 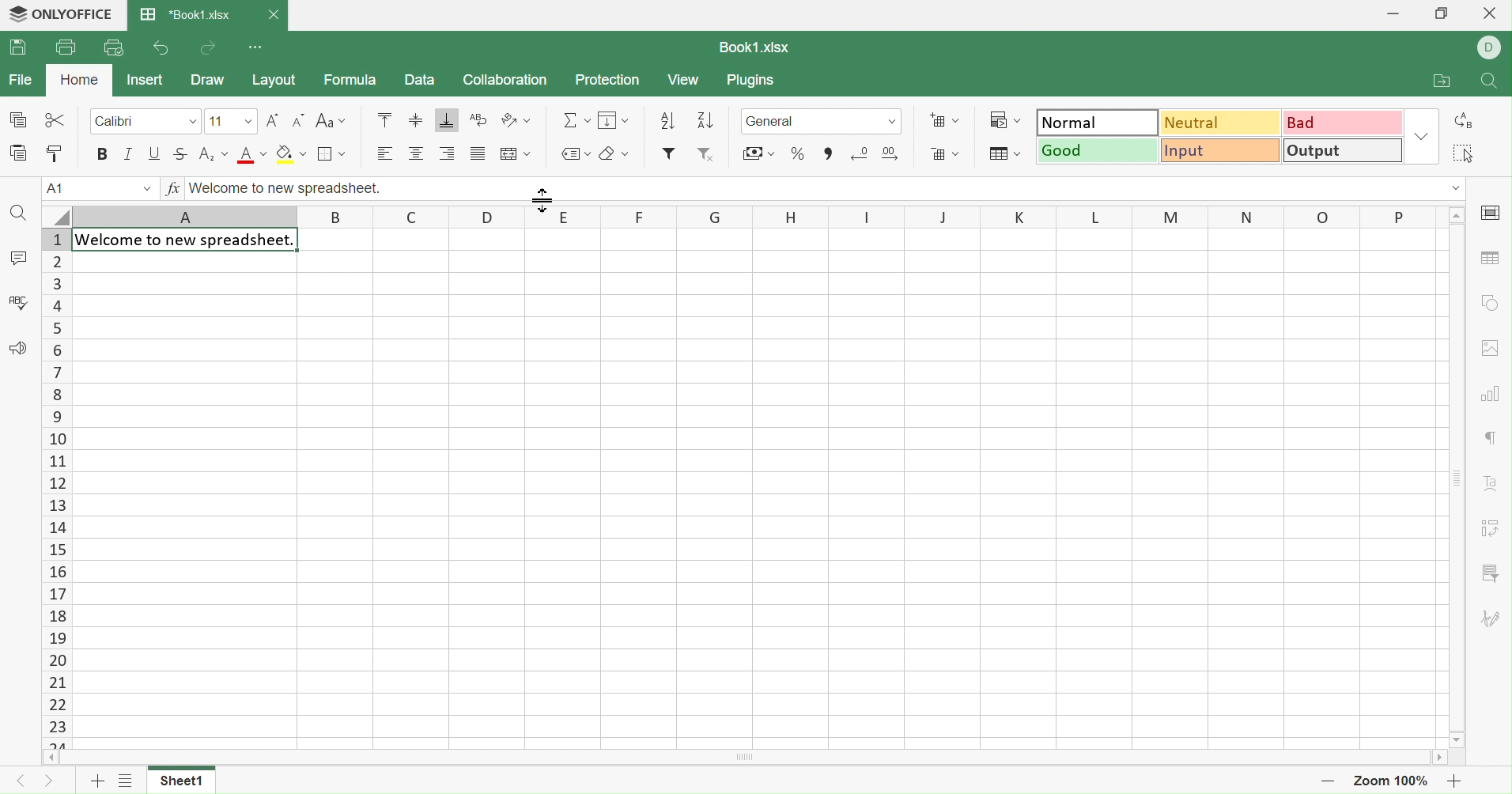 I want to click on Input, so click(x=1223, y=151).